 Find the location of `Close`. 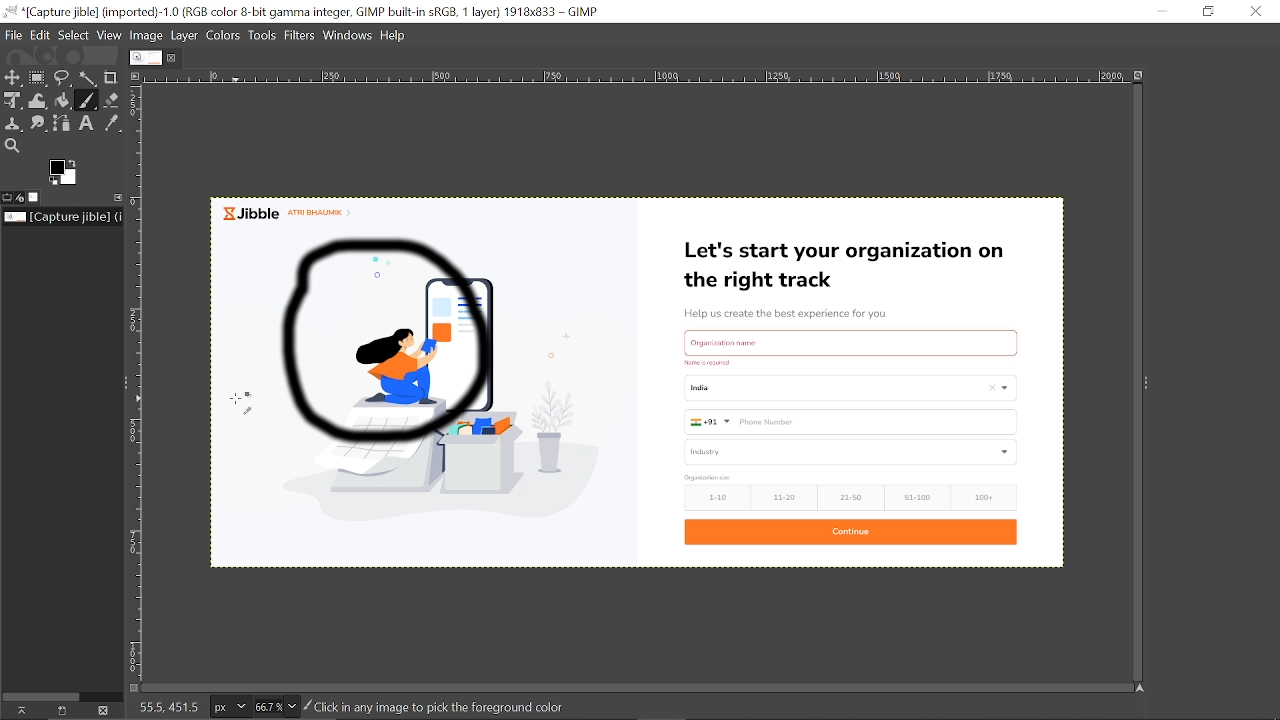

Close is located at coordinates (1254, 12).